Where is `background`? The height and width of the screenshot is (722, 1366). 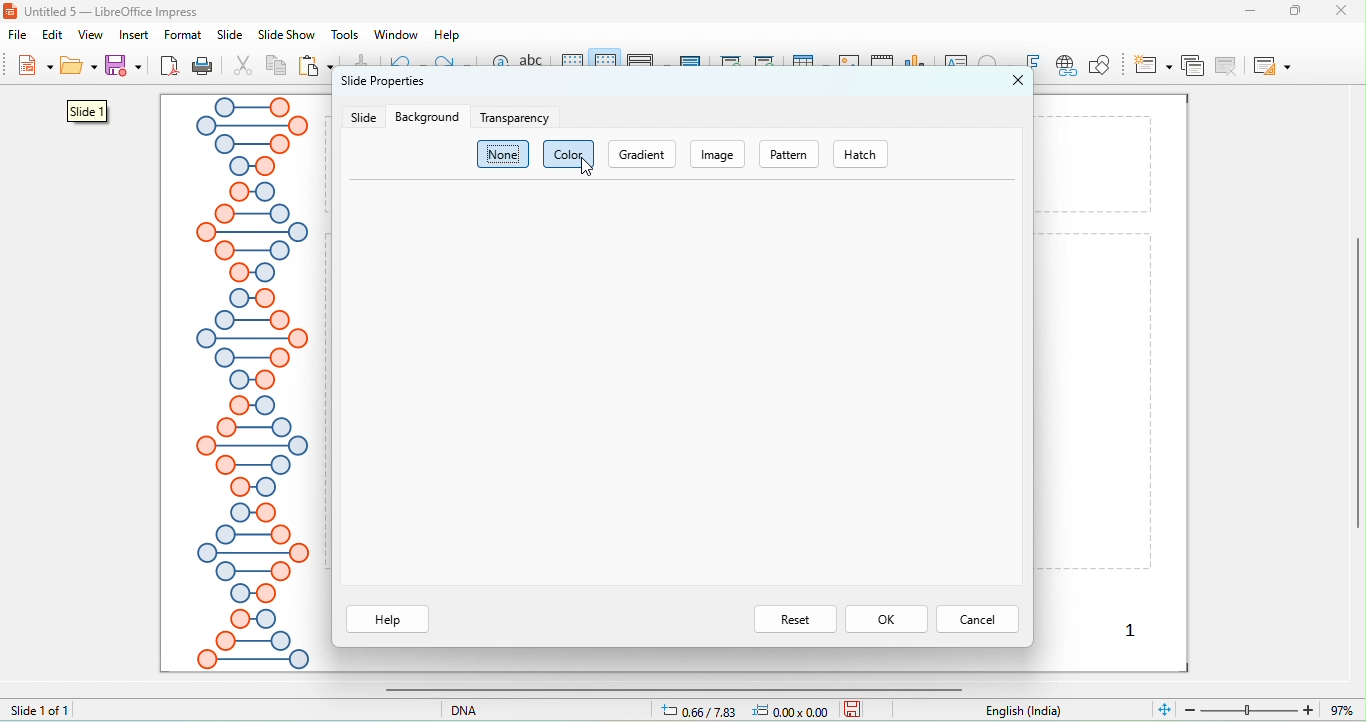 background is located at coordinates (427, 117).